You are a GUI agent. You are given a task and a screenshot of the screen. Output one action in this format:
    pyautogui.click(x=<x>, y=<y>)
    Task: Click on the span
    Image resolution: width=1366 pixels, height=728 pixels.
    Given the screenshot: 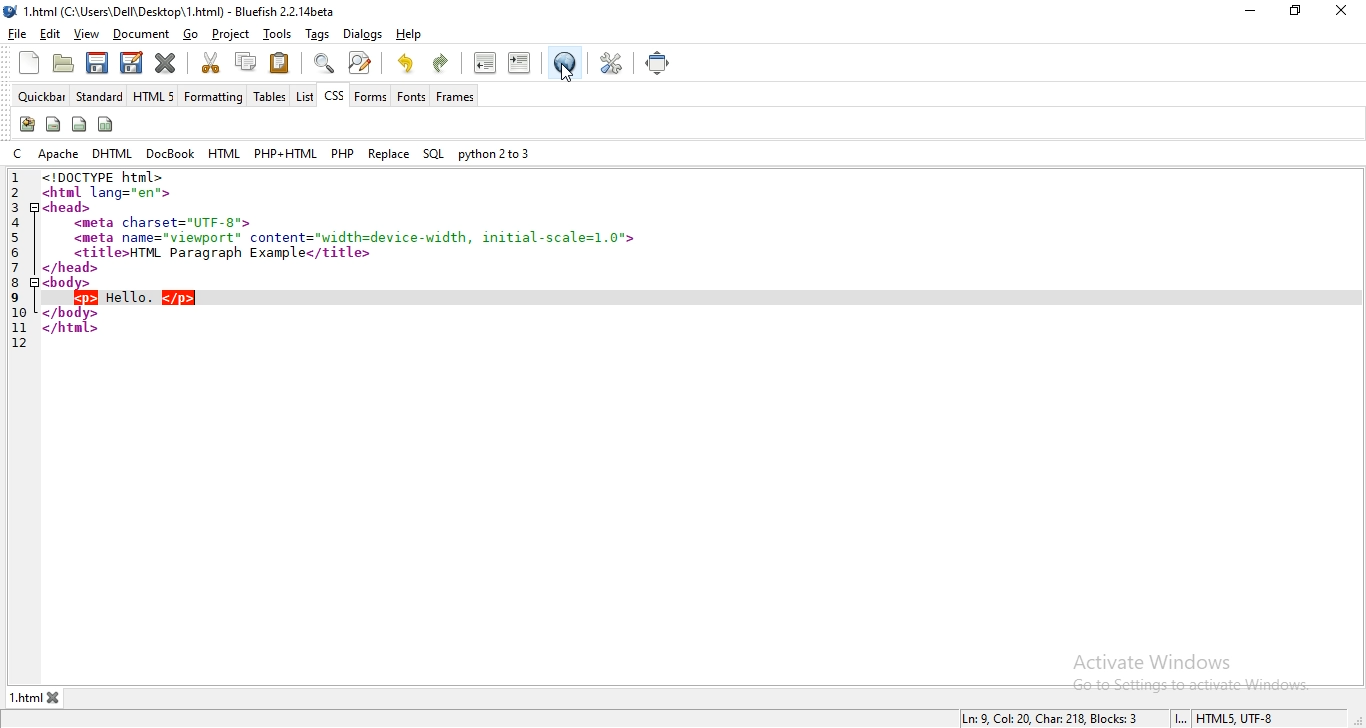 What is the action you would take?
    pyautogui.click(x=54, y=123)
    